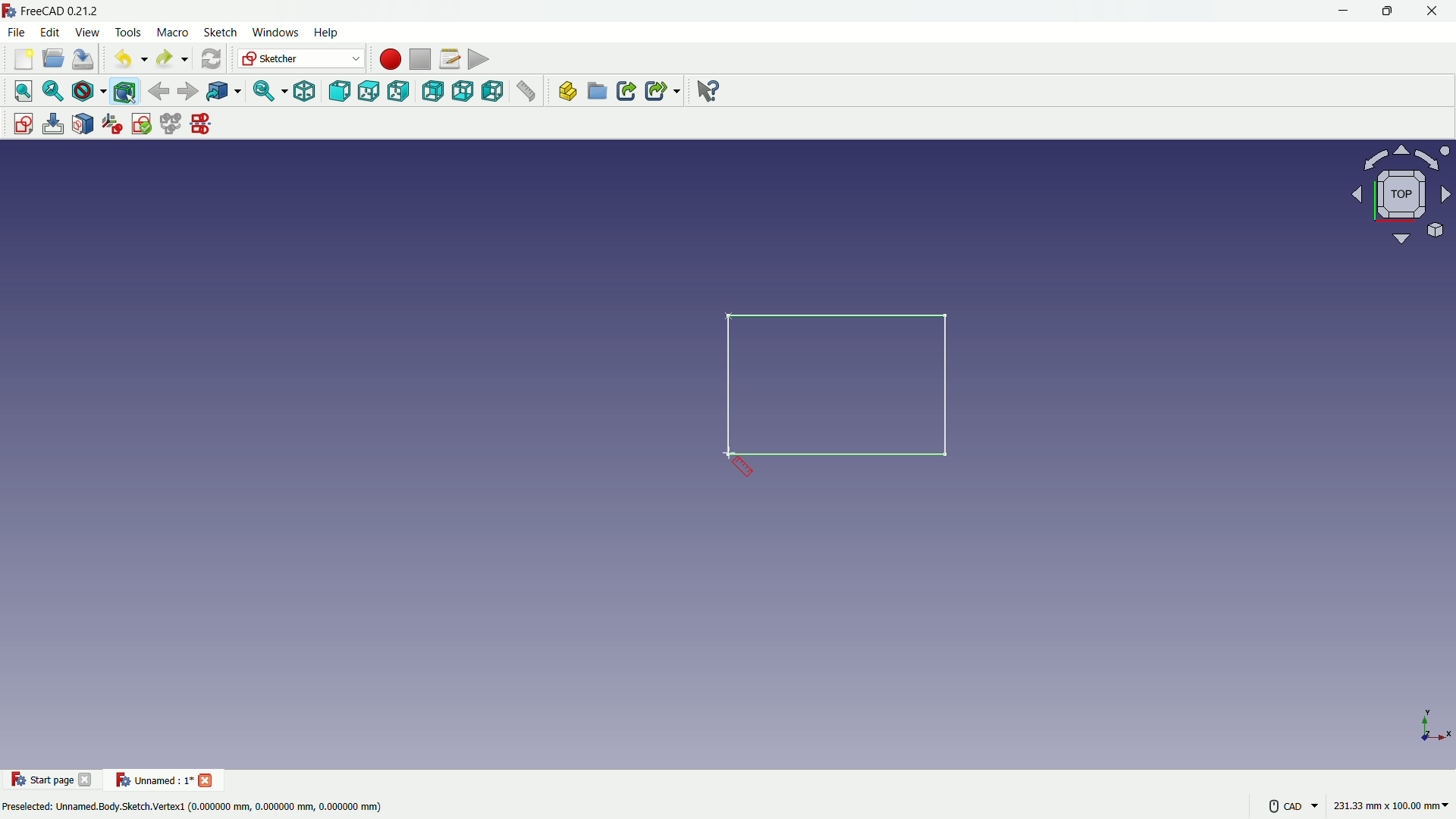 The image size is (1456, 819). Describe the element at coordinates (187, 91) in the screenshot. I see `forward` at that location.